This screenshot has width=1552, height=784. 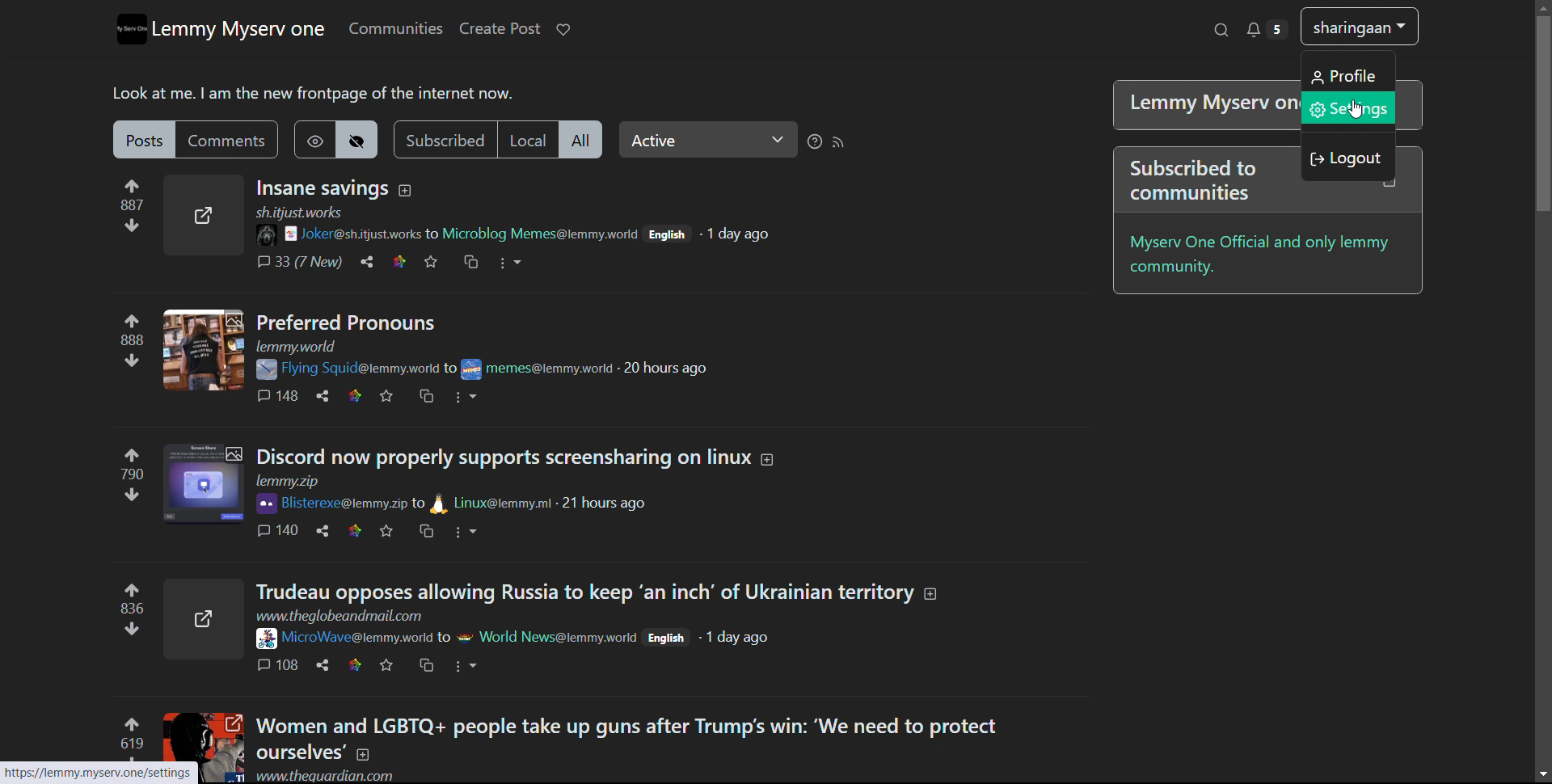 What do you see at coordinates (354, 531) in the screenshot?
I see `link` at bounding box center [354, 531].